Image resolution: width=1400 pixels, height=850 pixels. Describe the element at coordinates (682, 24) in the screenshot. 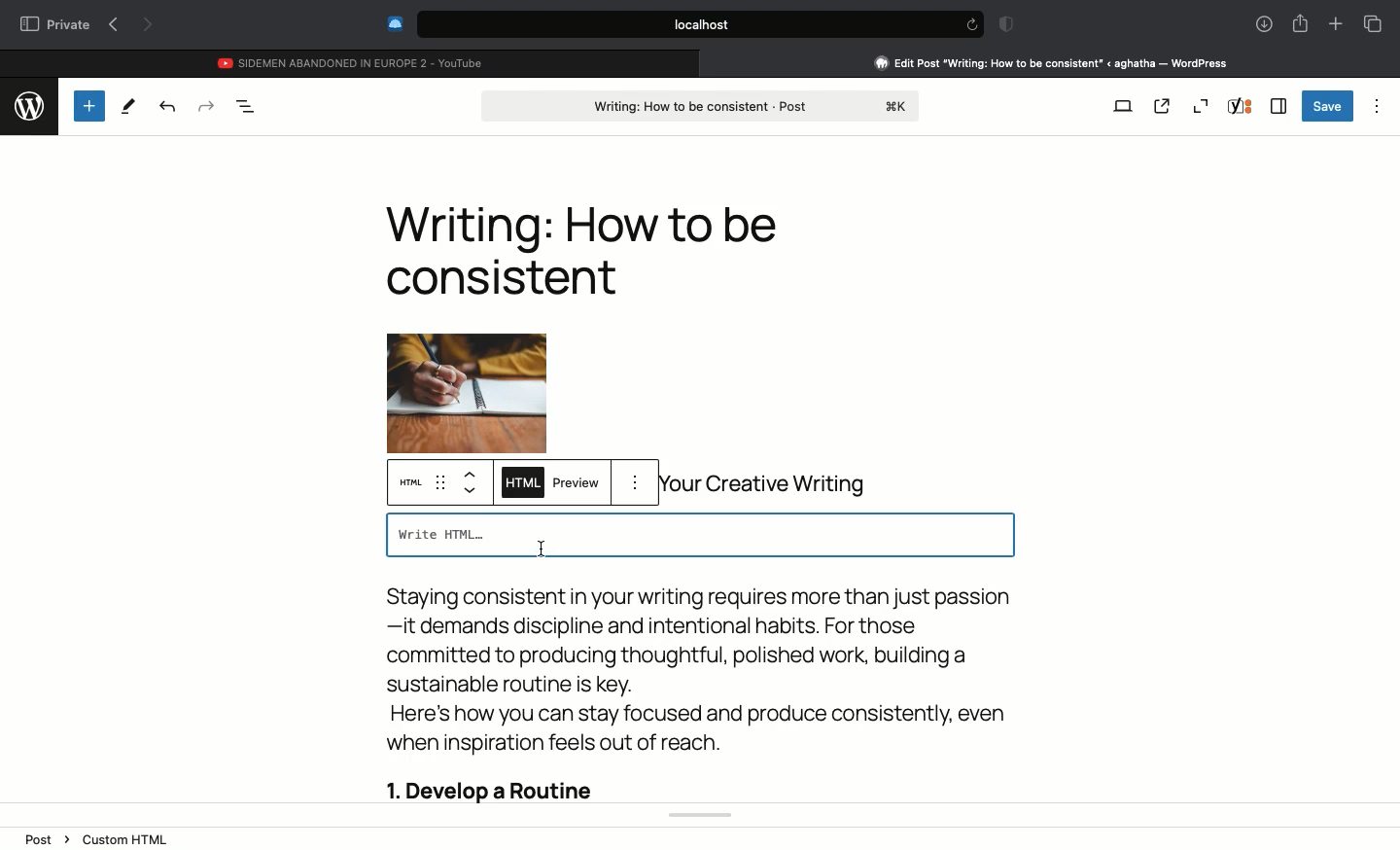

I see `Search bar` at that location.